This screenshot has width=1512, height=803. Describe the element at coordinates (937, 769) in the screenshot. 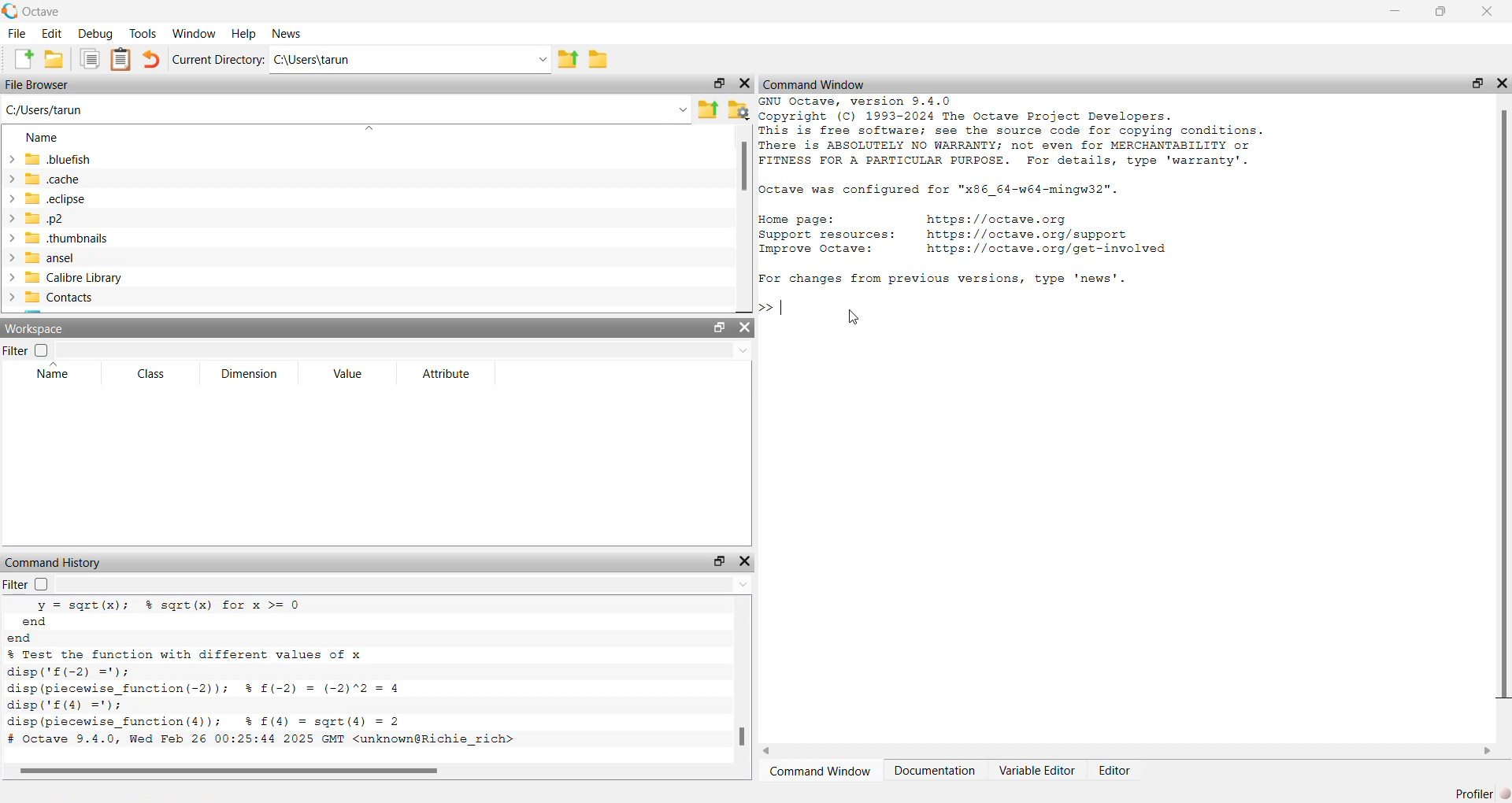

I see `Documentation` at that location.